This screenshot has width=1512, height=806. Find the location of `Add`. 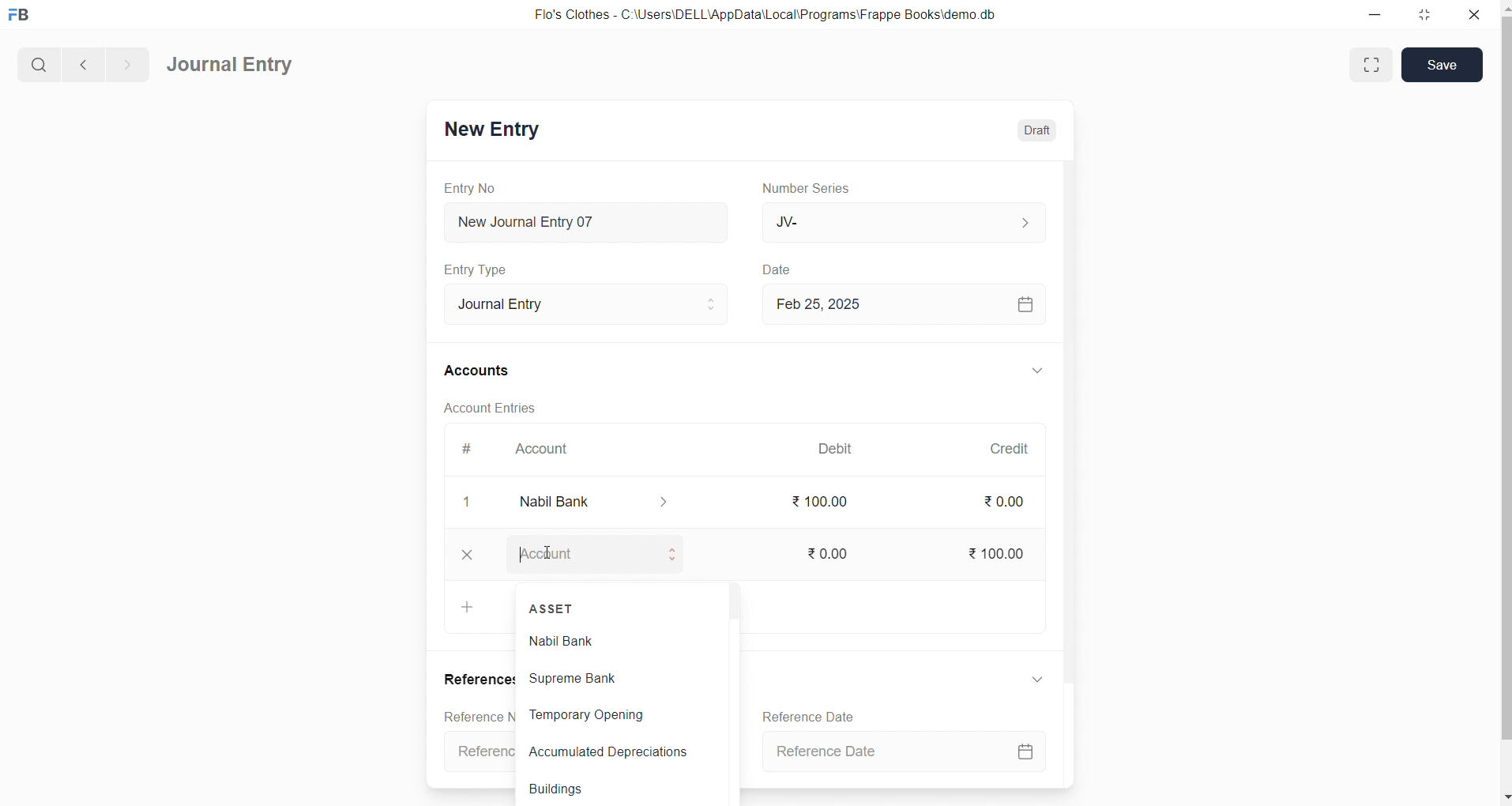

Add is located at coordinates (471, 607).